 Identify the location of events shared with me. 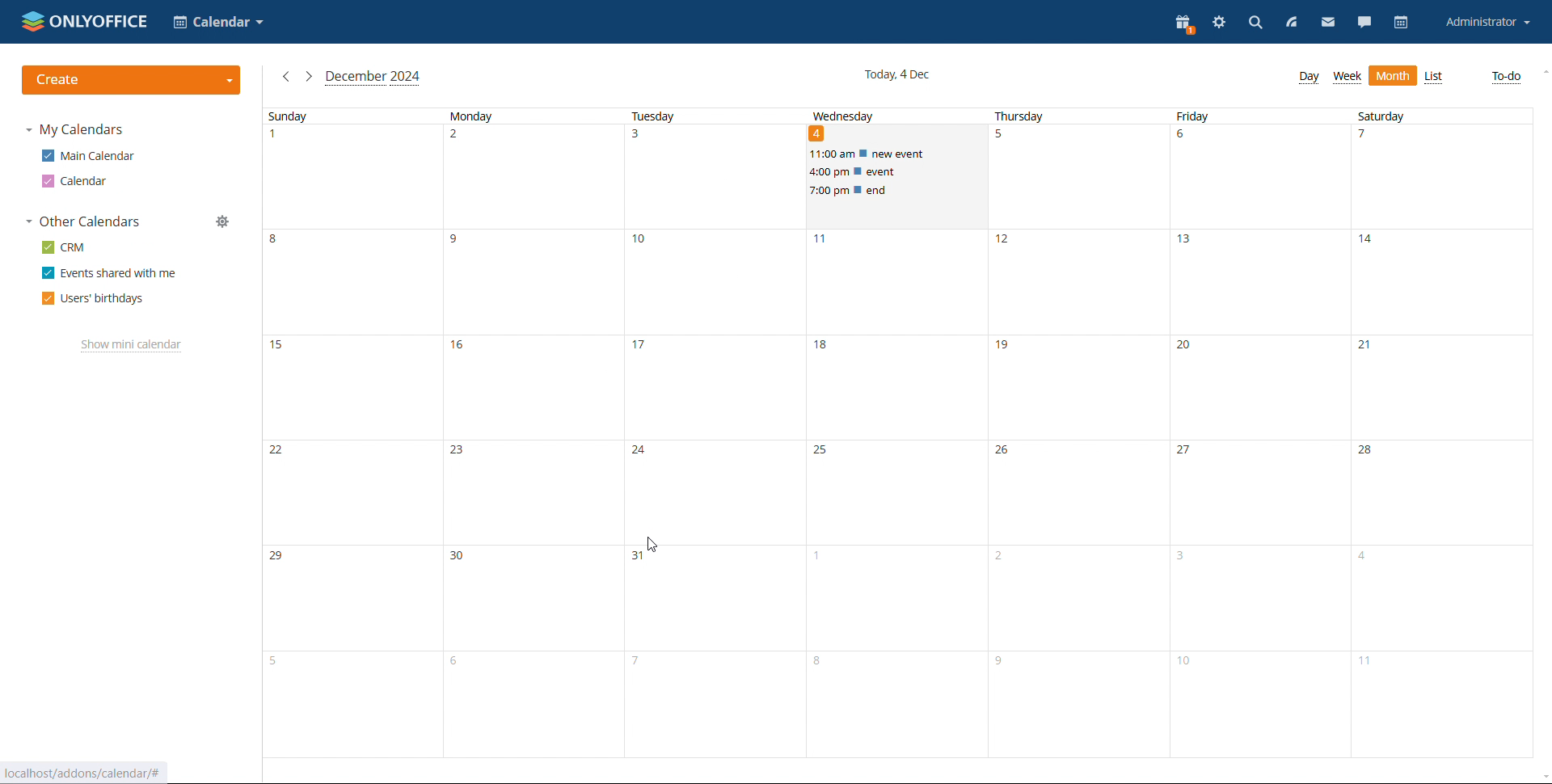
(109, 273).